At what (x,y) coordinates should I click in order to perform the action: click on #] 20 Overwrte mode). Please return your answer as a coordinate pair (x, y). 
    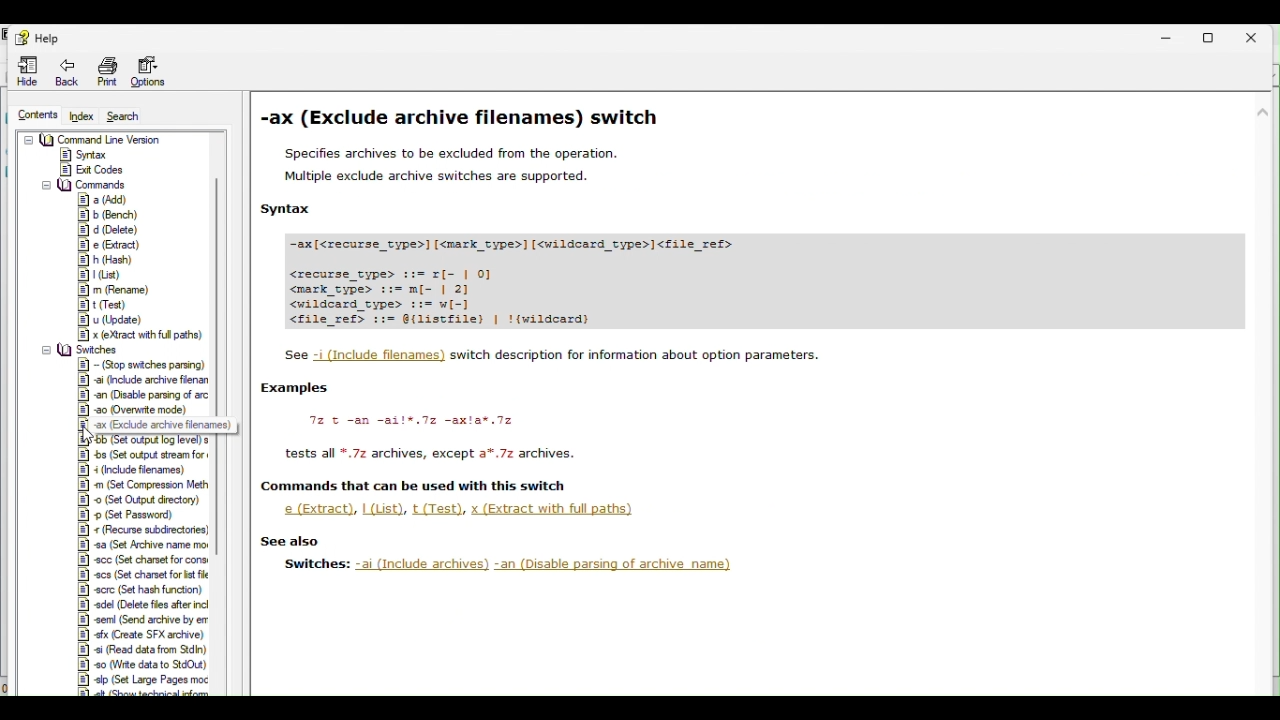
    Looking at the image, I should click on (135, 410).